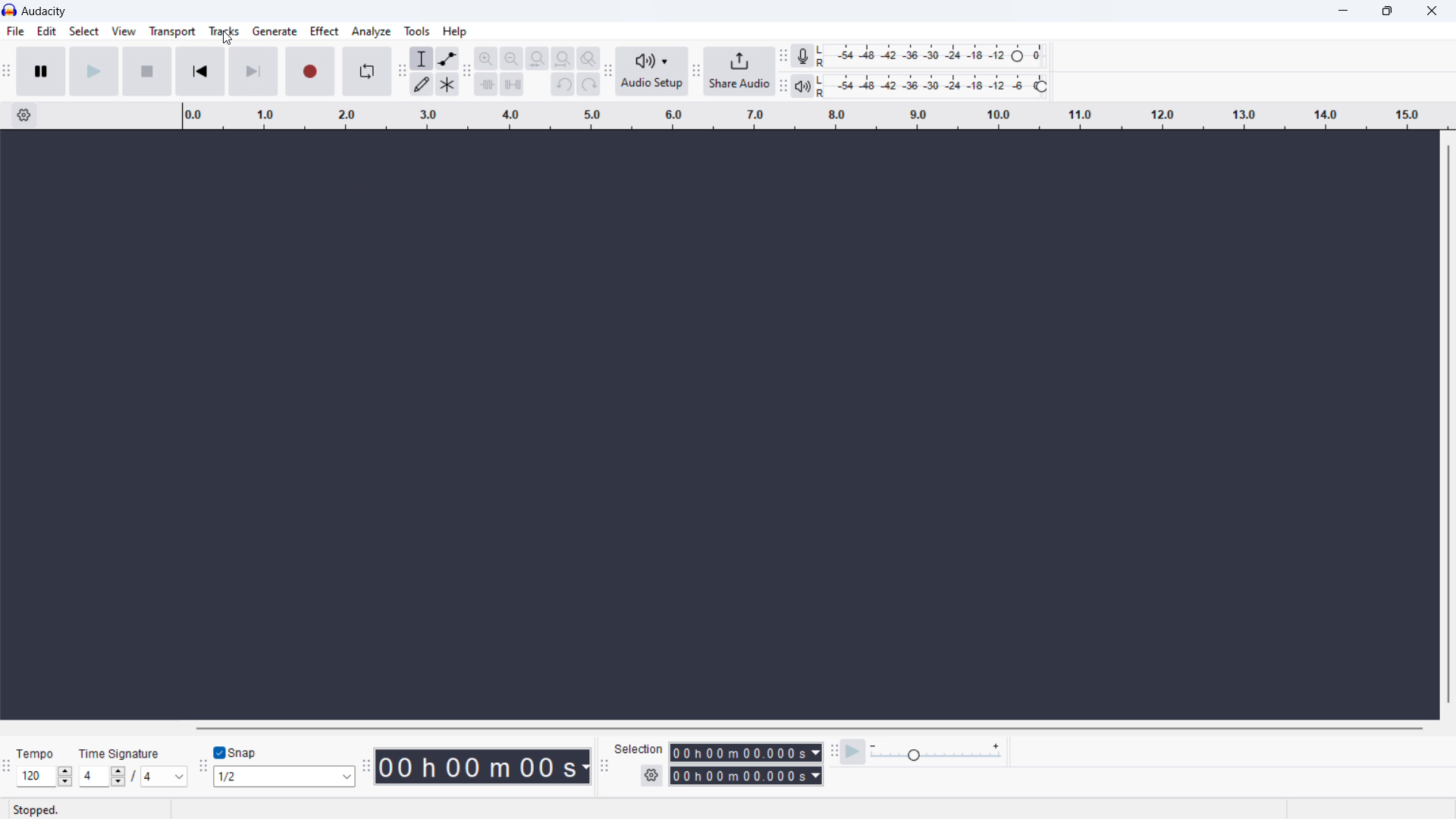 The image size is (1456, 819). I want to click on trim audio outside selection, so click(487, 84).